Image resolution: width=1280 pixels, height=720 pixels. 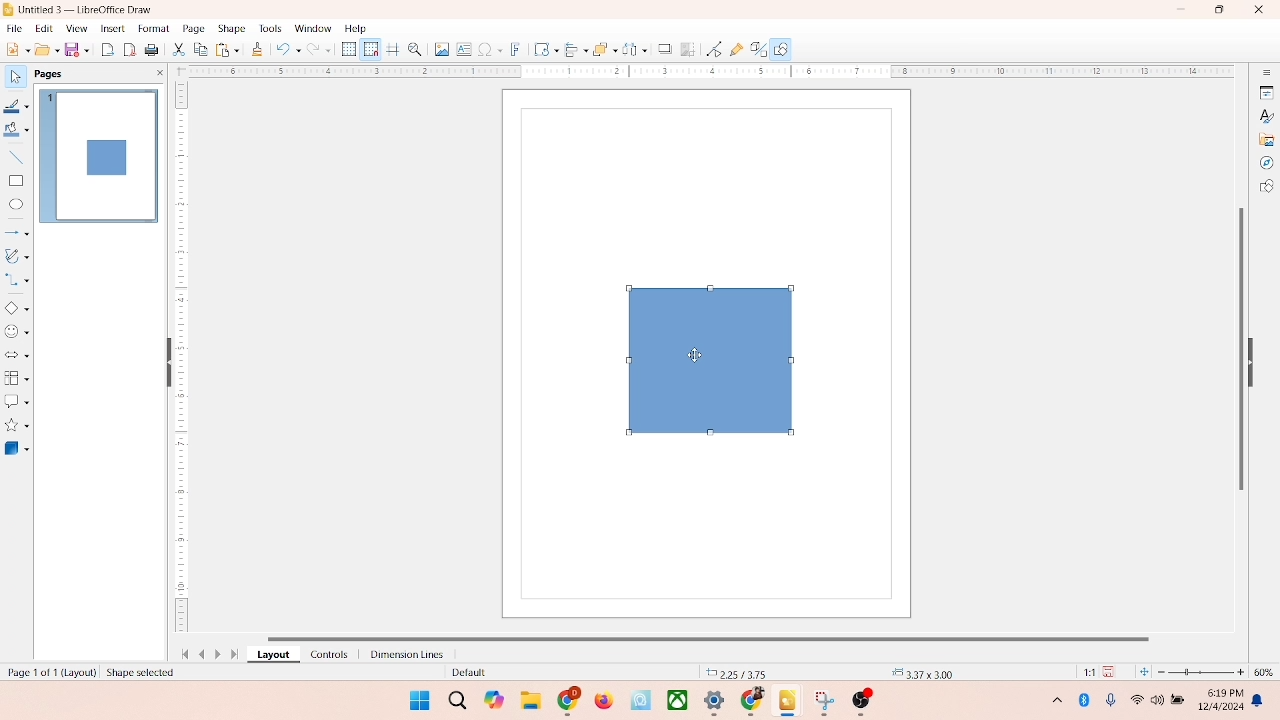 What do you see at coordinates (1219, 697) in the screenshot?
I see `time and date` at bounding box center [1219, 697].